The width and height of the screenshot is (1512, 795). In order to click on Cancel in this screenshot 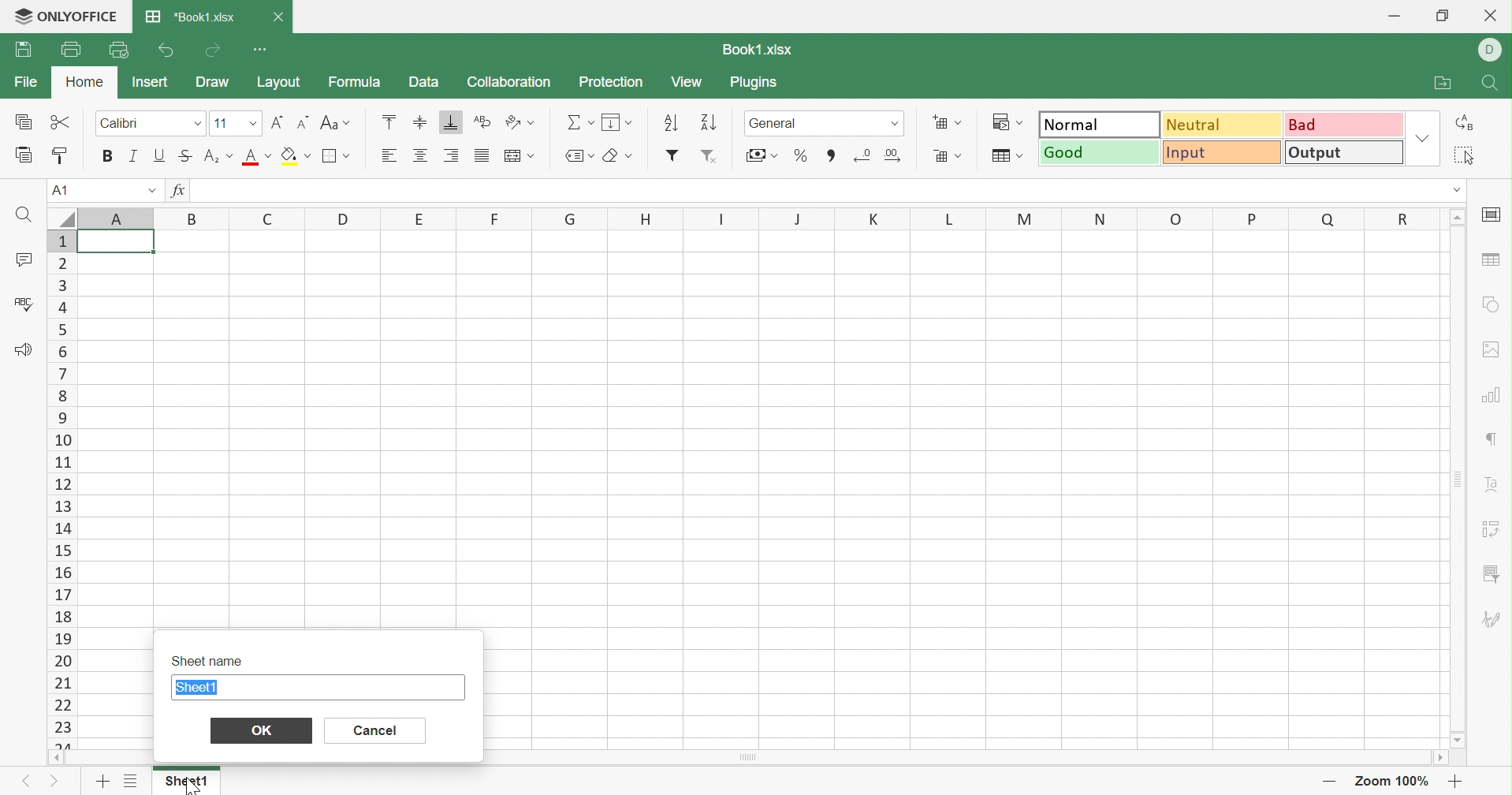, I will do `click(371, 732)`.